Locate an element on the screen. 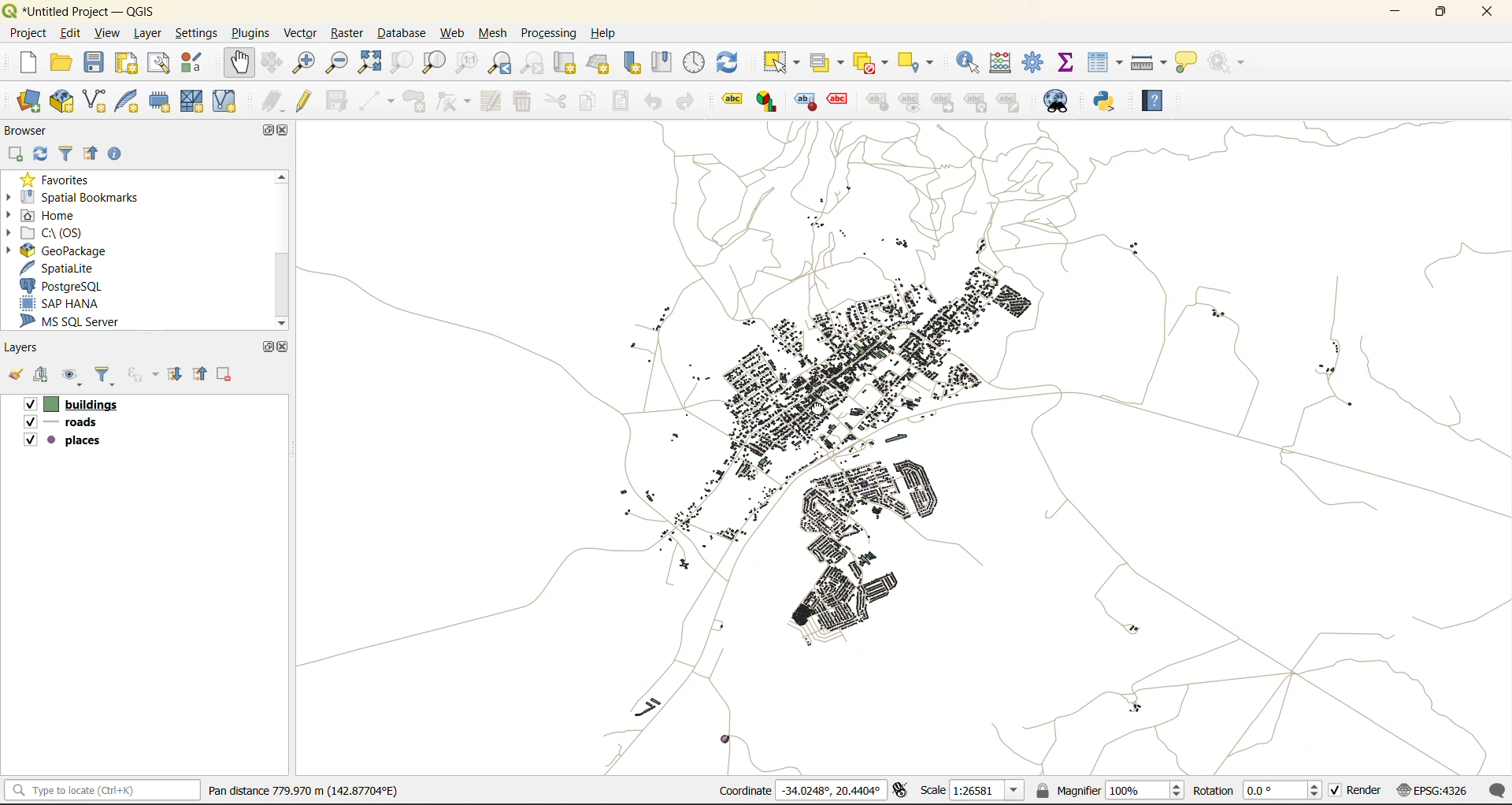 This screenshot has width=1512, height=805. spatial bookmarks is located at coordinates (85, 198).